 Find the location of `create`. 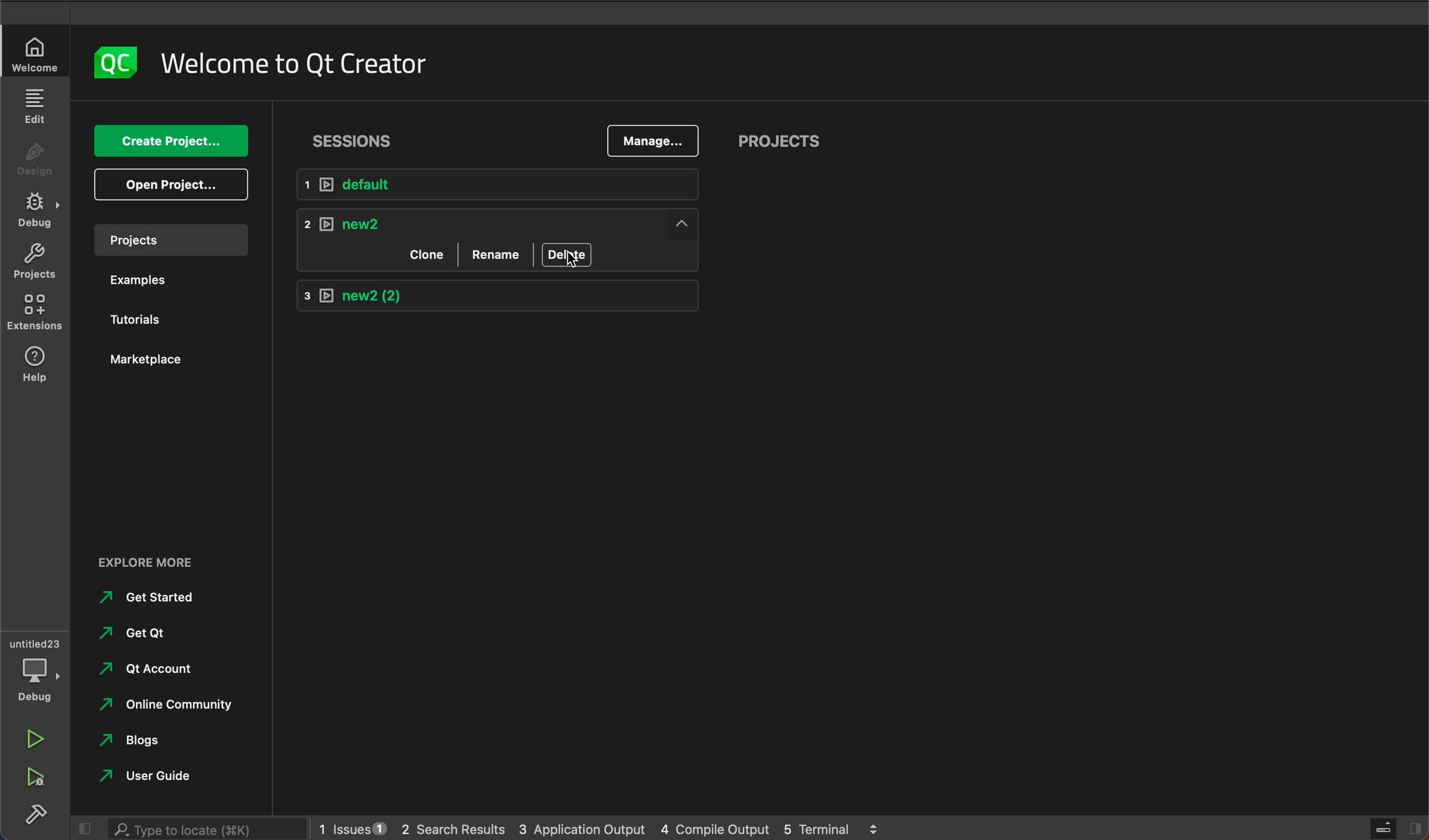

create is located at coordinates (172, 140).